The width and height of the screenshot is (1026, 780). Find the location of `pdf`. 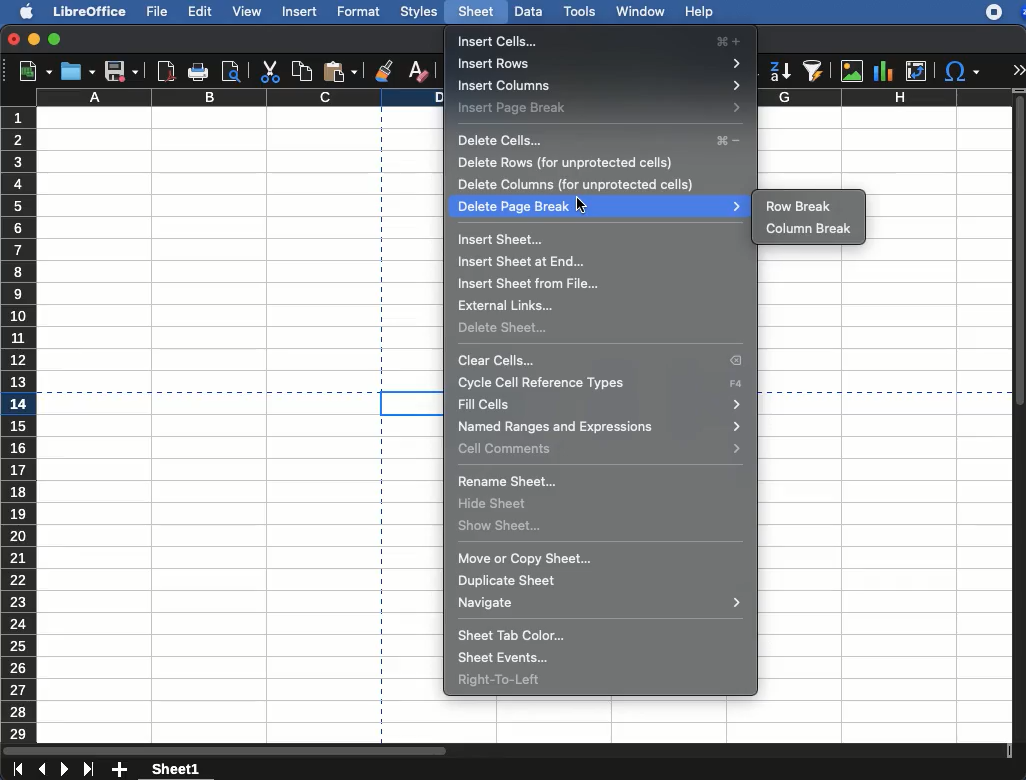

pdf is located at coordinates (166, 71).